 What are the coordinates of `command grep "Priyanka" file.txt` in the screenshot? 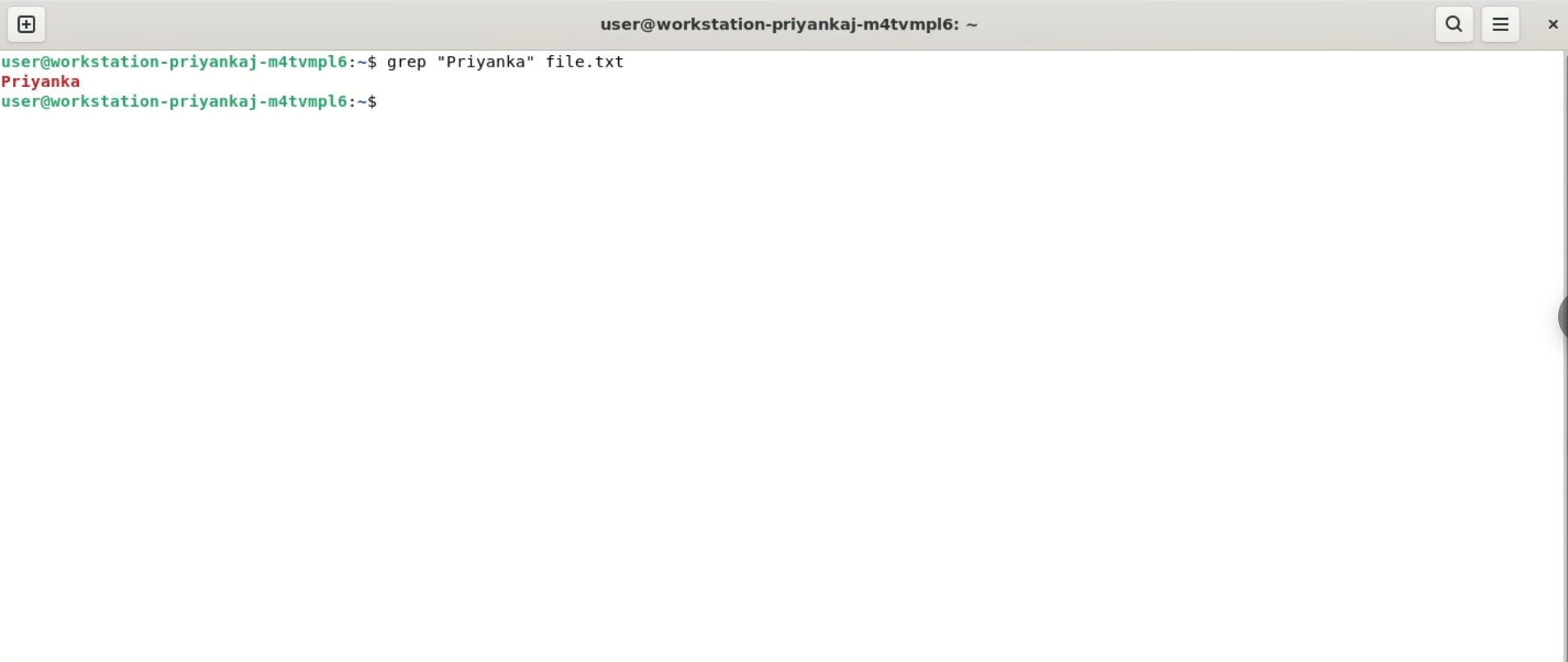 It's located at (519, 65).